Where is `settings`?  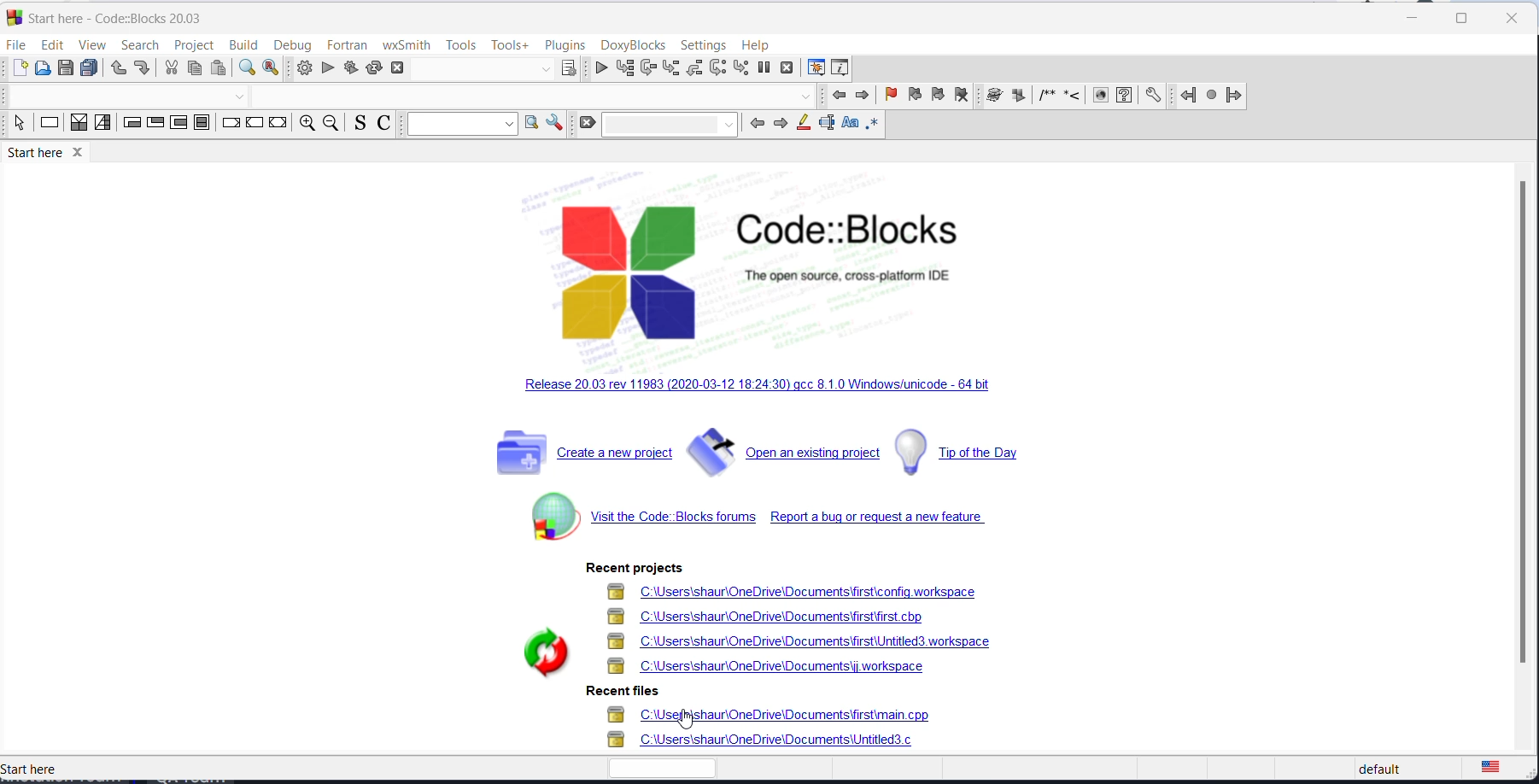 settings is located at coordinates (557, 123).